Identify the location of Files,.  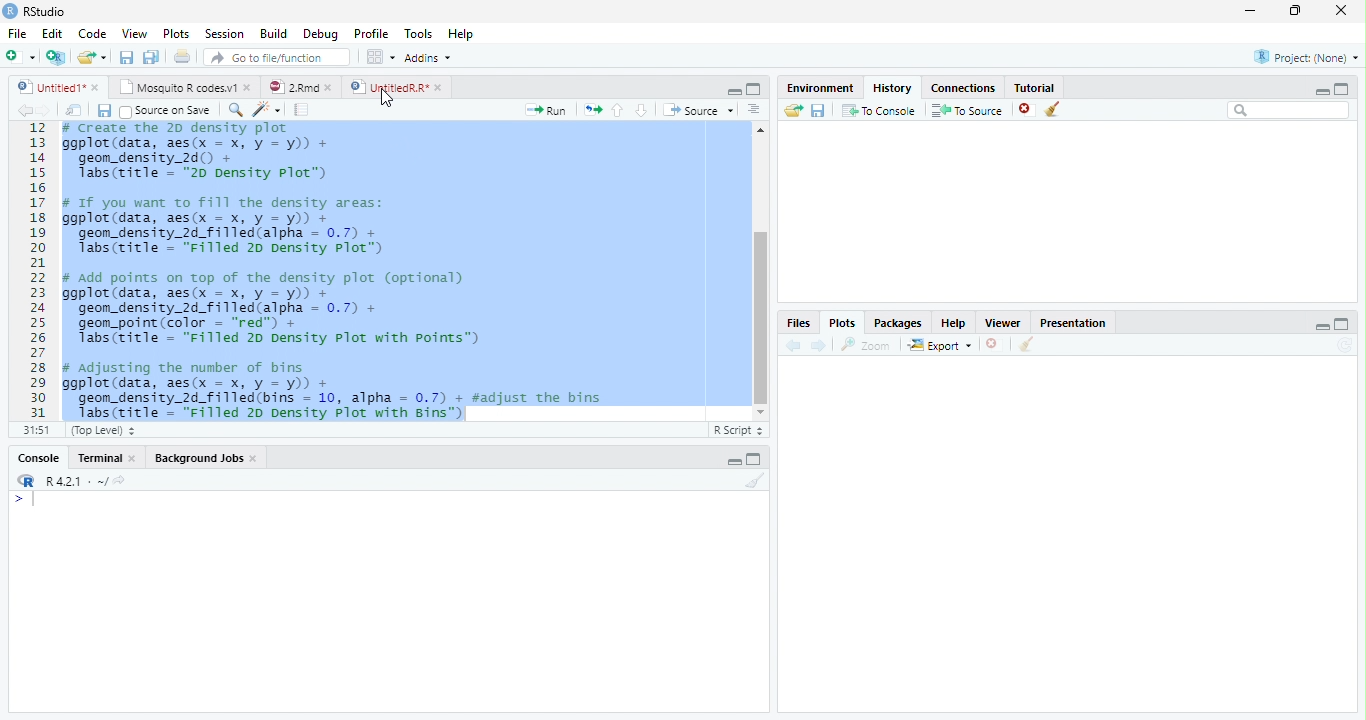
(795, 323).